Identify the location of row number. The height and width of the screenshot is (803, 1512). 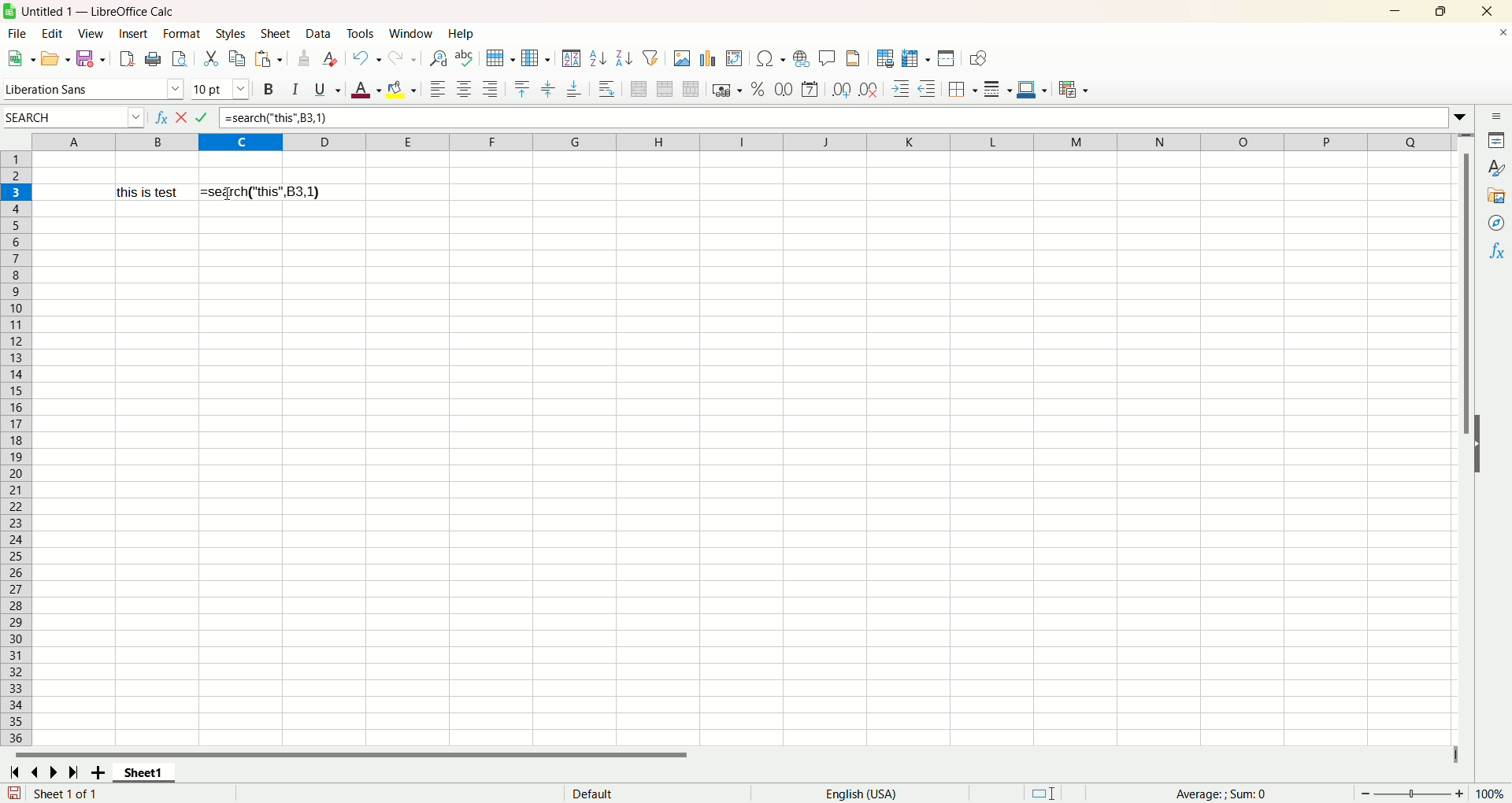
(16, 449).